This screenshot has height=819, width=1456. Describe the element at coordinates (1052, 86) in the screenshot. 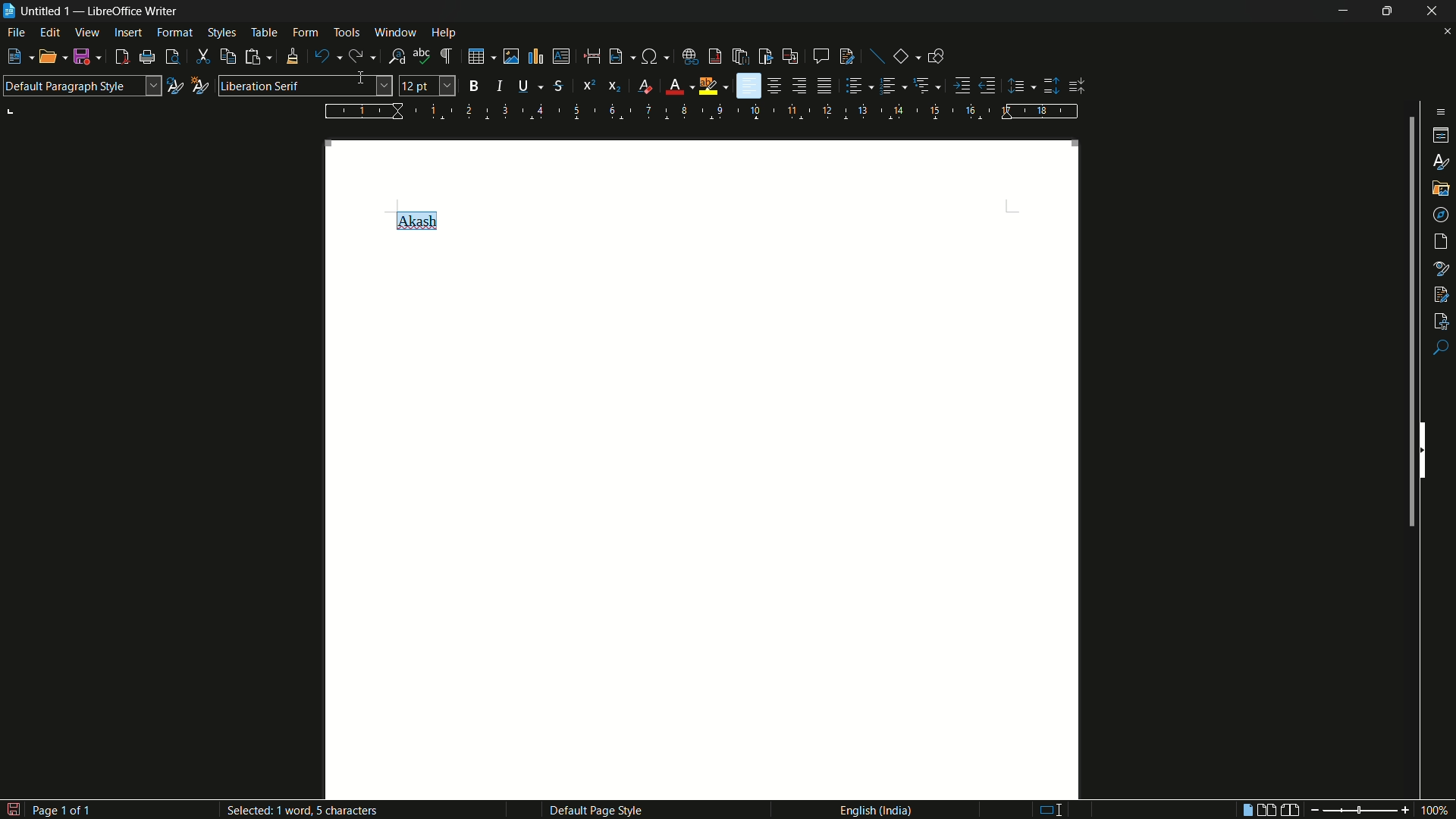

I see `increase paragraph spacing` at that location.